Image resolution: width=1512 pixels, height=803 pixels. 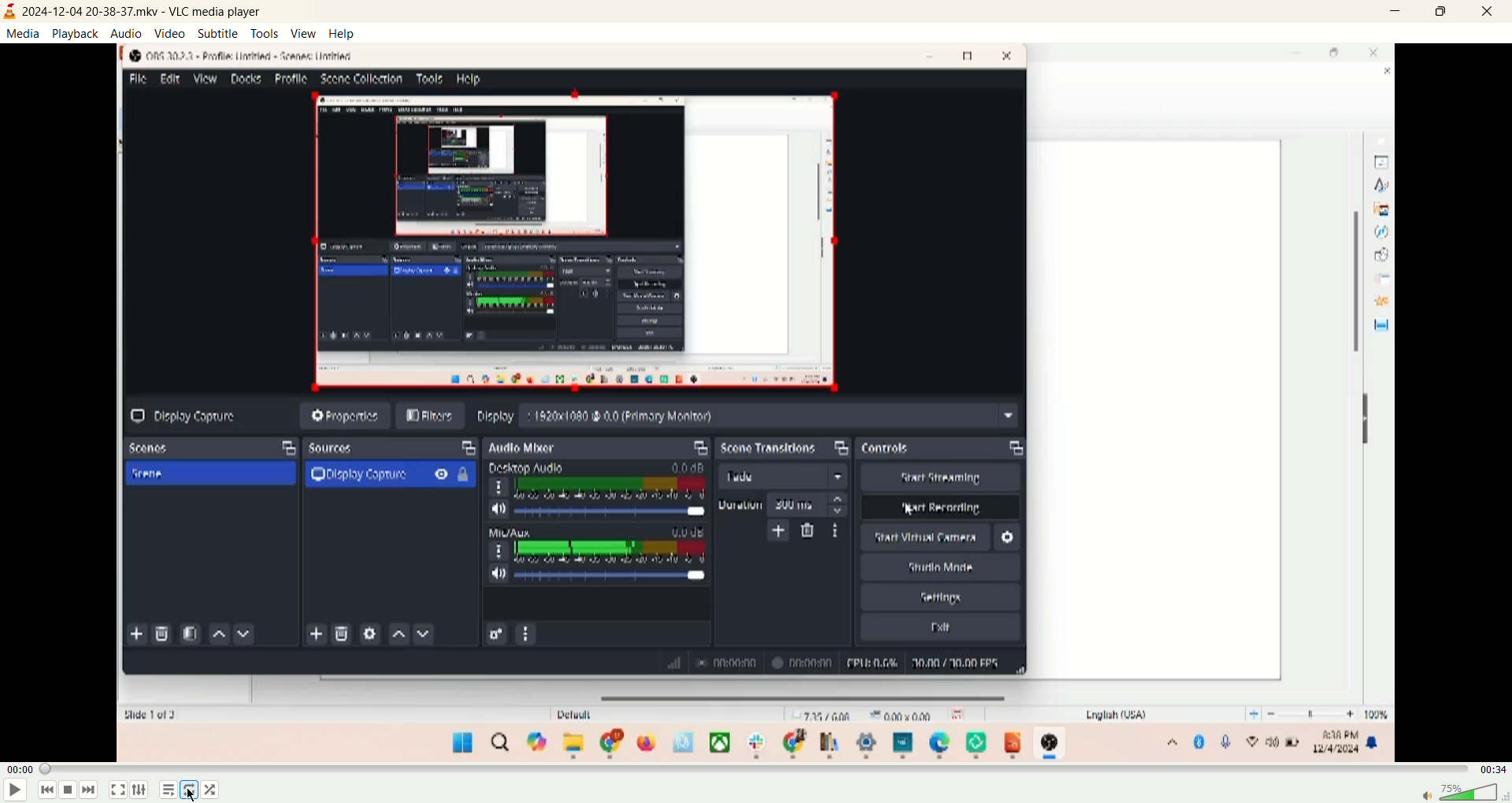 I want to click on play, so click(x=16, y=787).